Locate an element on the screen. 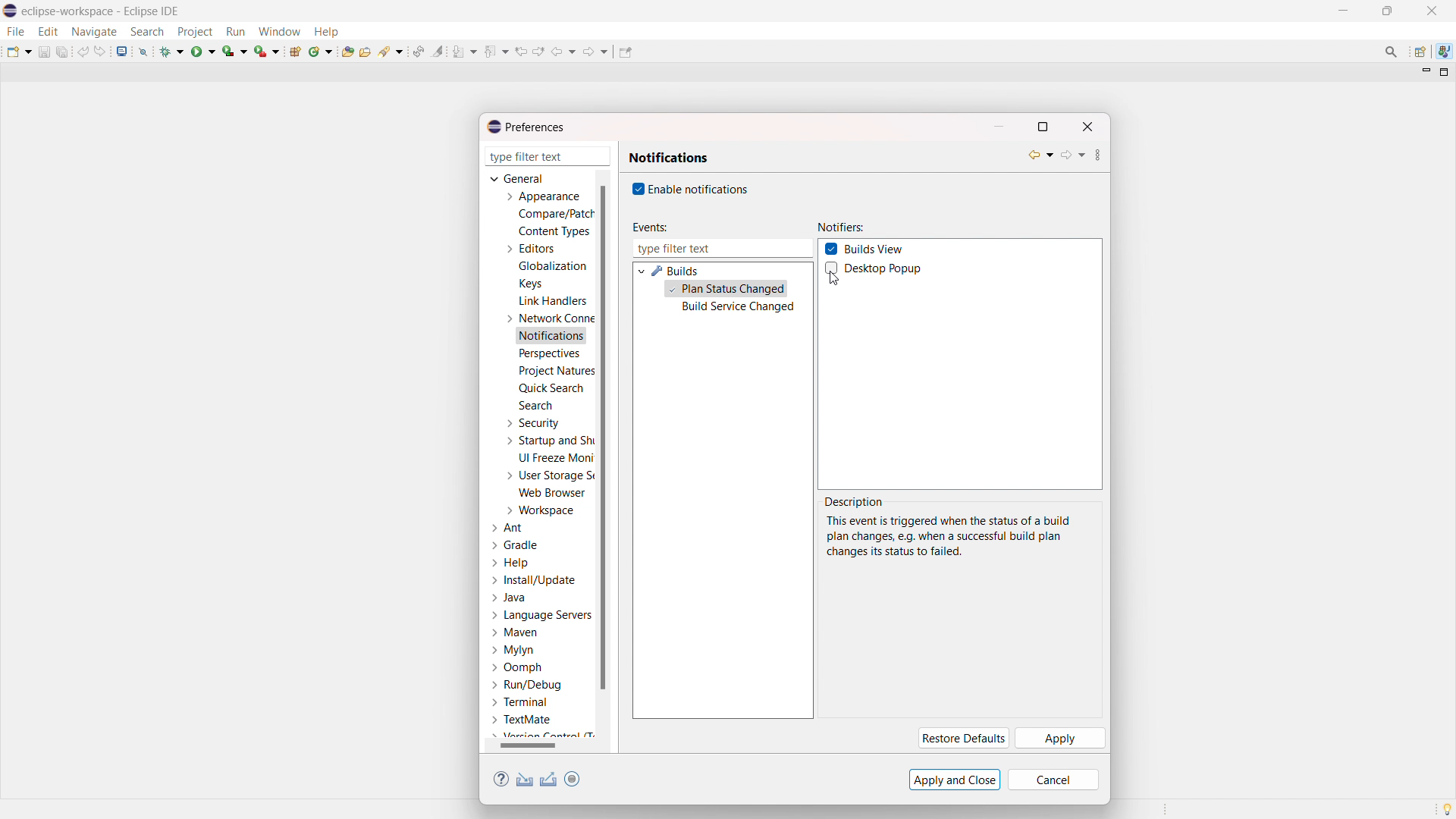 The width and height of the screenshot is (1456, 819). oomph is located at coordinates (516, 669).